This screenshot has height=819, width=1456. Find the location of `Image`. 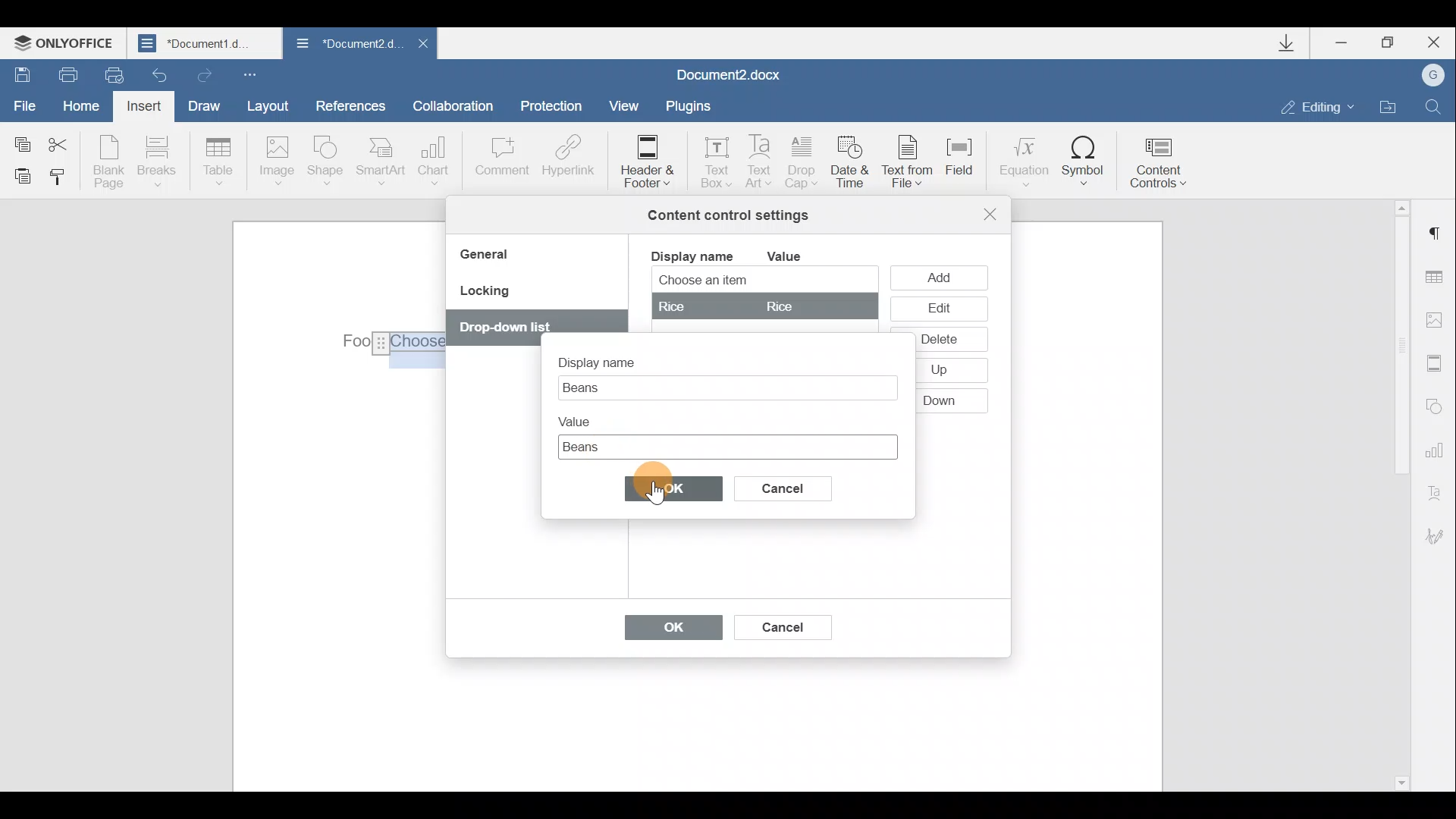

Image is located at coordinates (276, 162).